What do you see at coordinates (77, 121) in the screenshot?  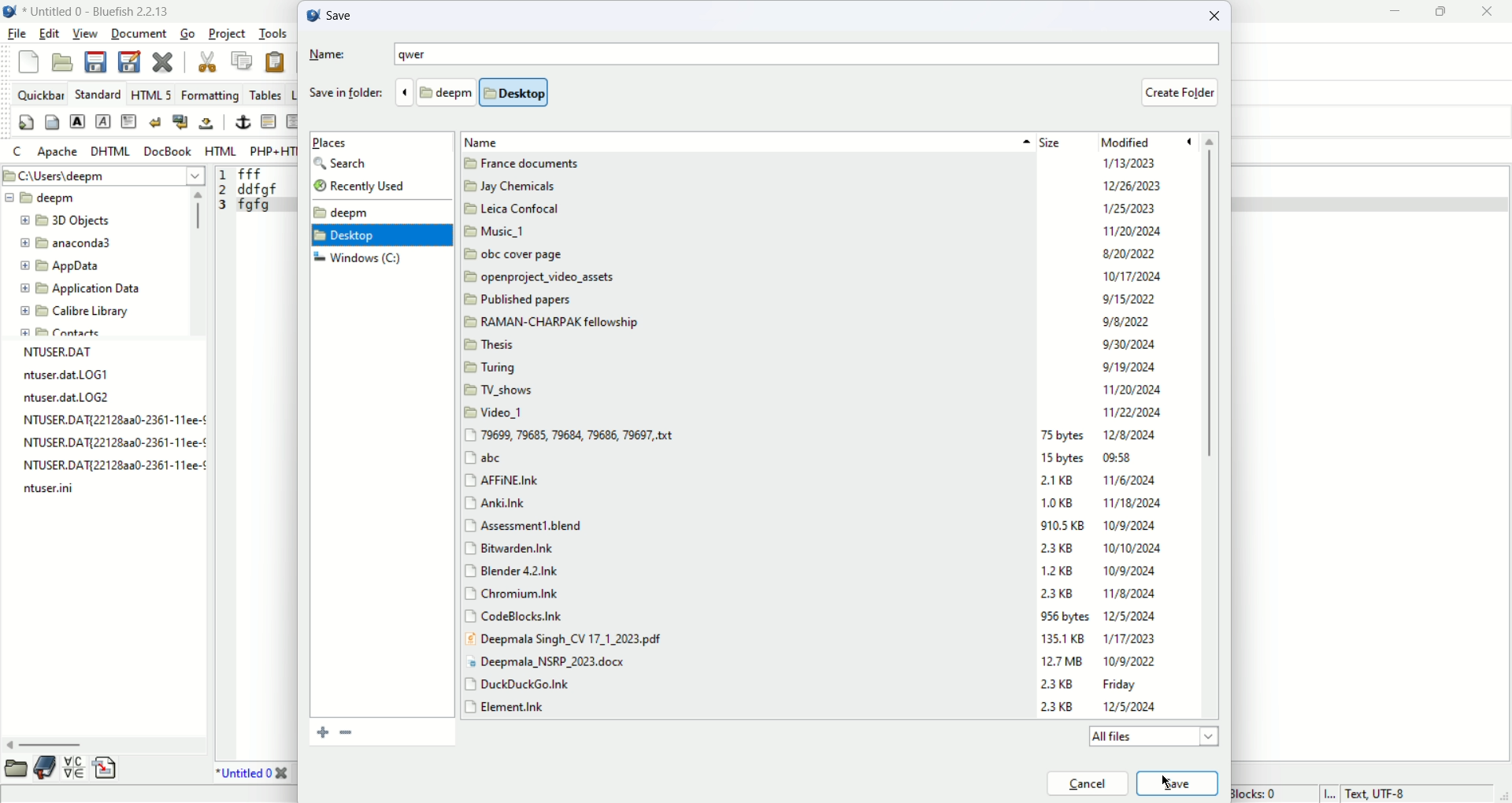 I see `strong` at bounding box center [77, 121].